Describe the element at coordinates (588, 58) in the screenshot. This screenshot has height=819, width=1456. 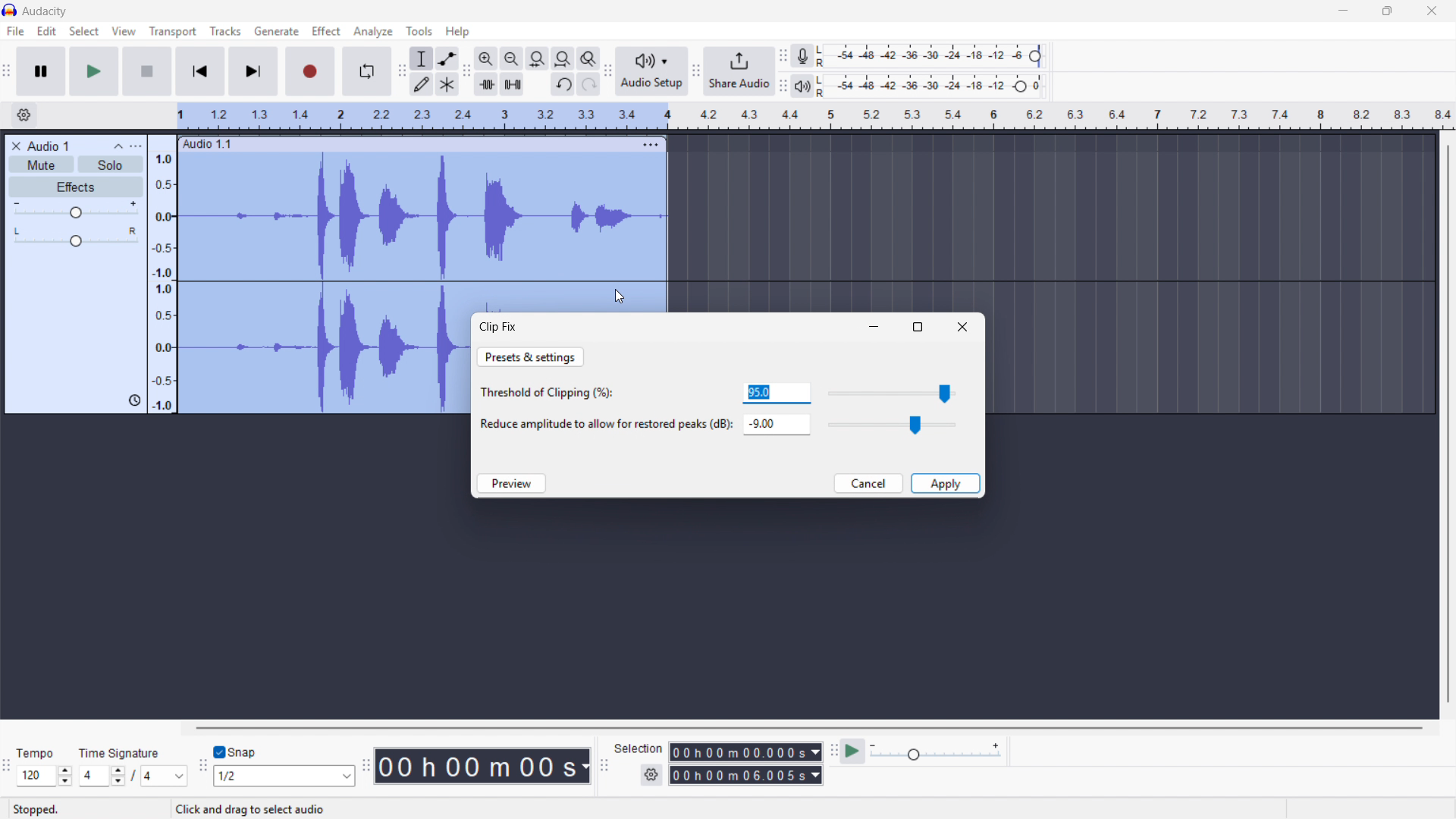
I see `toggle zoom` at that location.